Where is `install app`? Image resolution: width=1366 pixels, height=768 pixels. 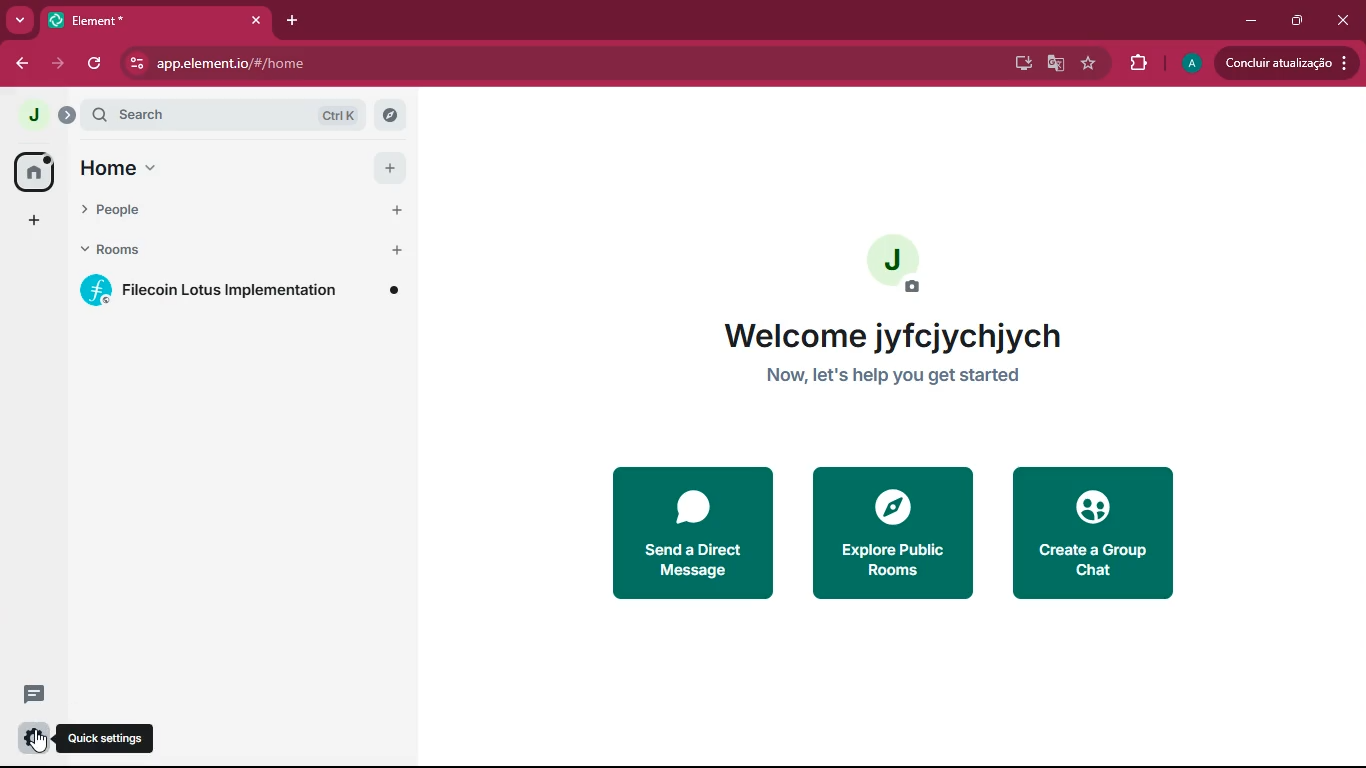
install app is located at coordinates (1016, 61).